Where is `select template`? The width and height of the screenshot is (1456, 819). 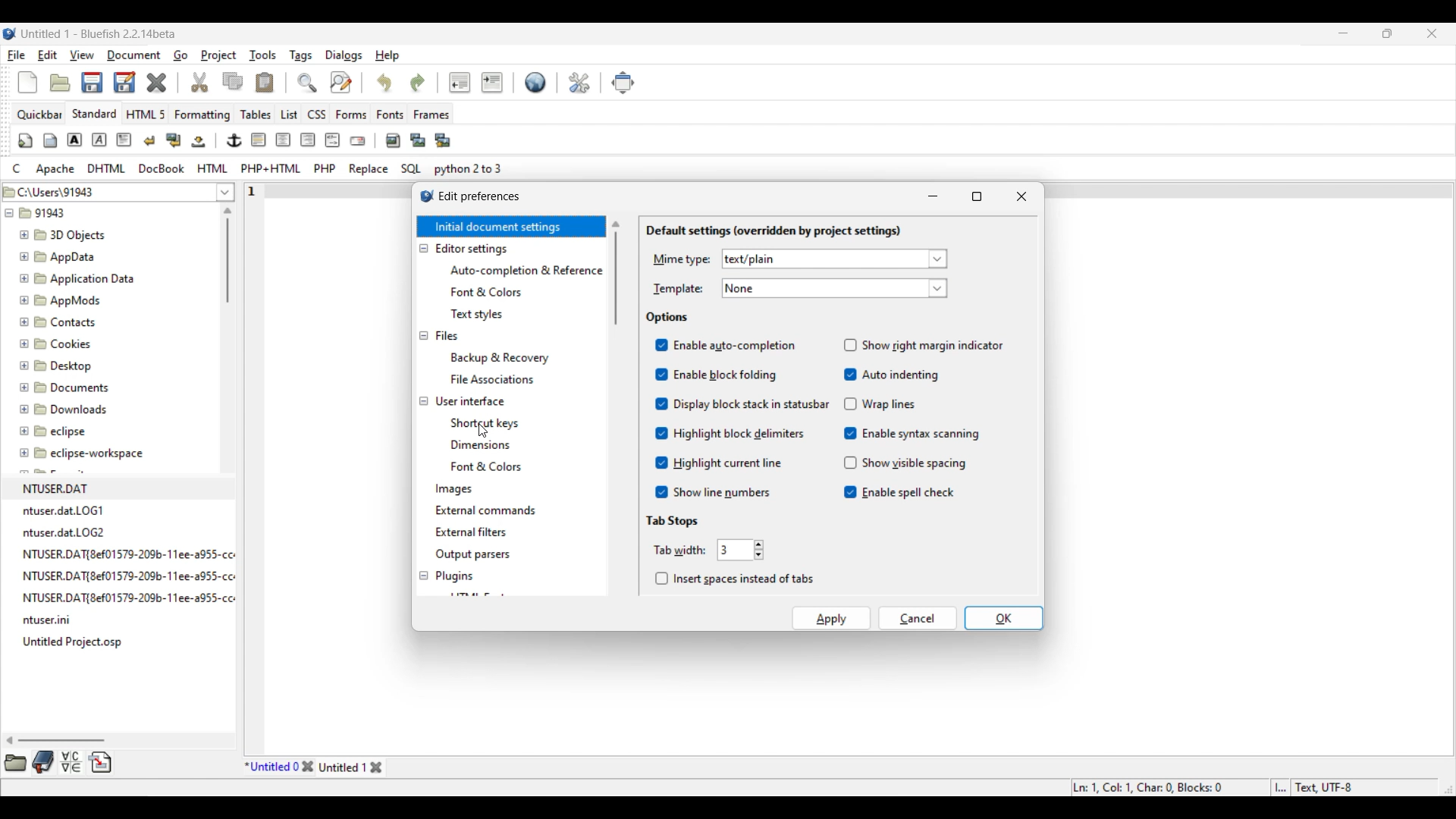 select template is located at coordinates (835, 288).